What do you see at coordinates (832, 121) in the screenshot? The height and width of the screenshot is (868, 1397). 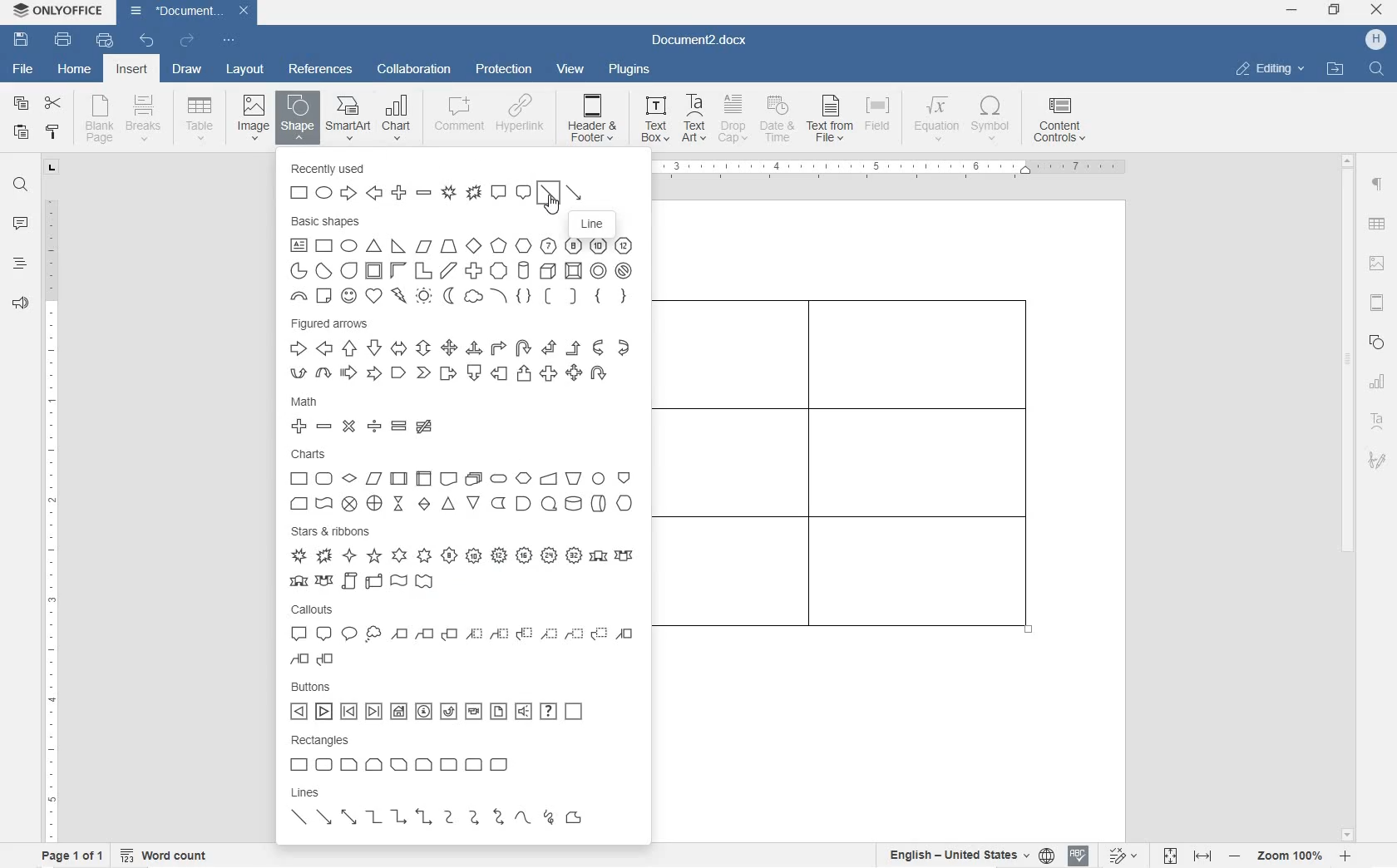 I see `TEXT FROM FILE` at bounding box center [832, 121].